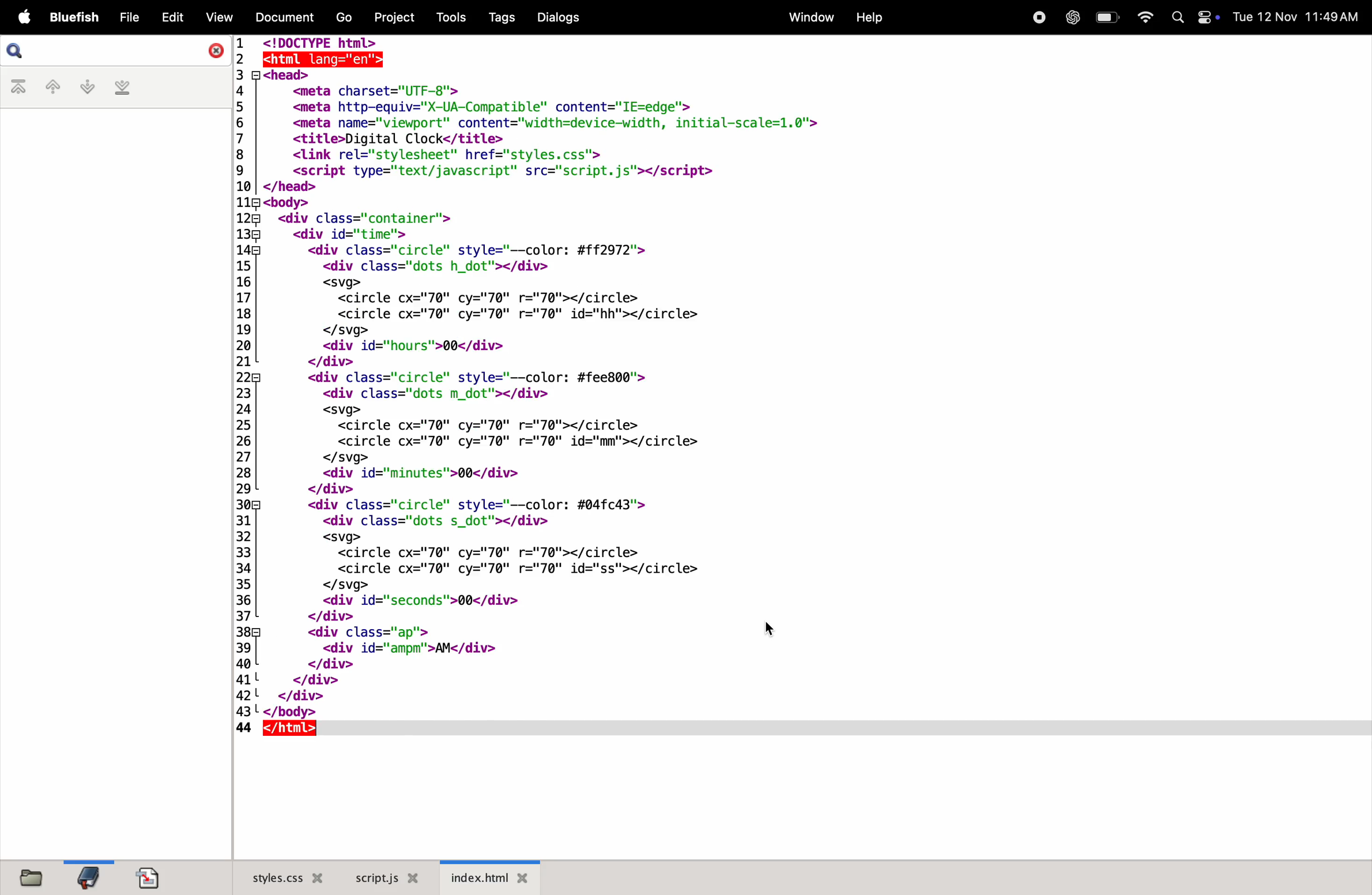 This screenshot has height=895, width=1372. I want to click on projects, so click(395, 18).